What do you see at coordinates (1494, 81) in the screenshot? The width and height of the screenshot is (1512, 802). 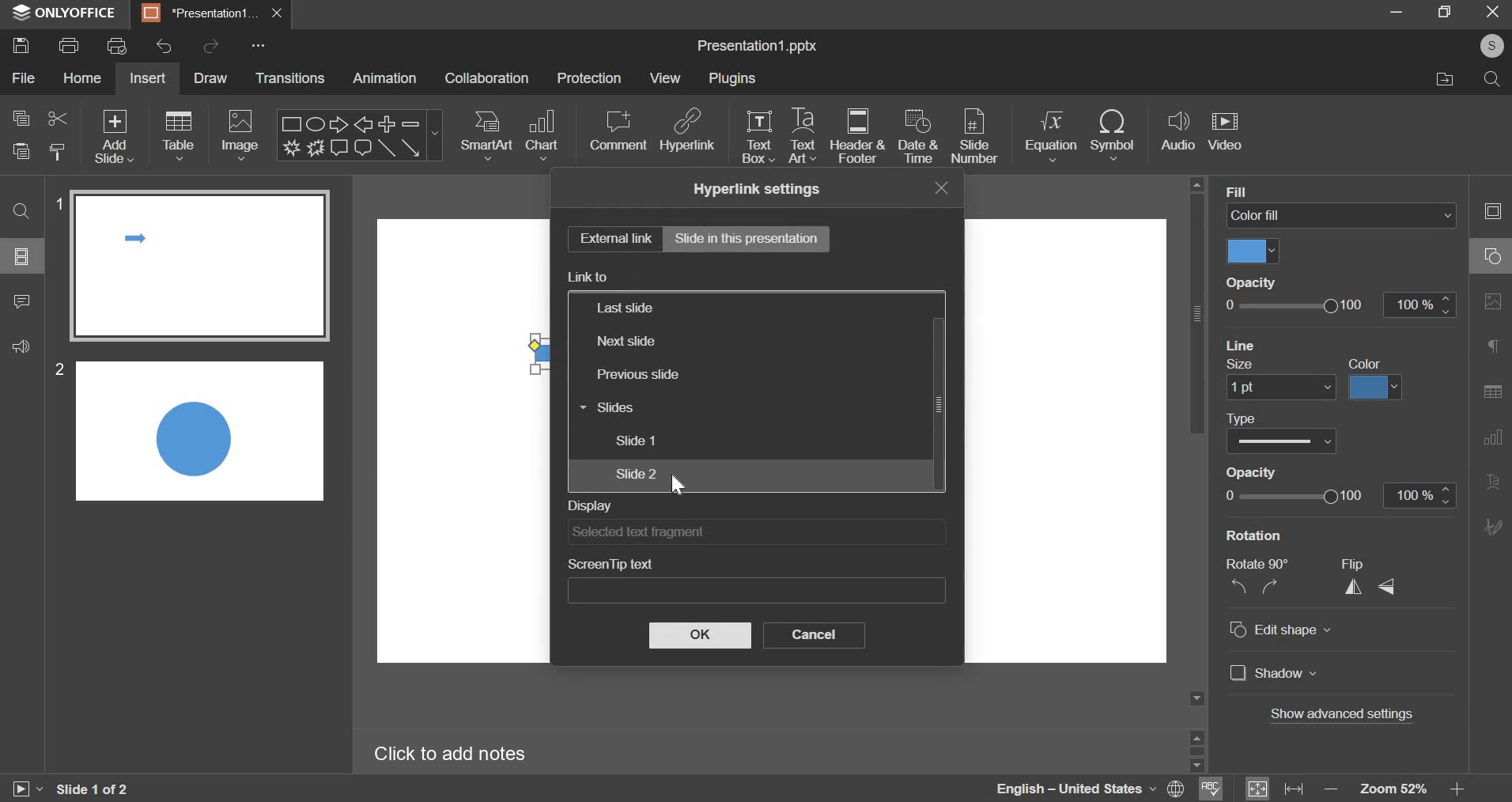 I see `search` at bounding box center [1494, 81].